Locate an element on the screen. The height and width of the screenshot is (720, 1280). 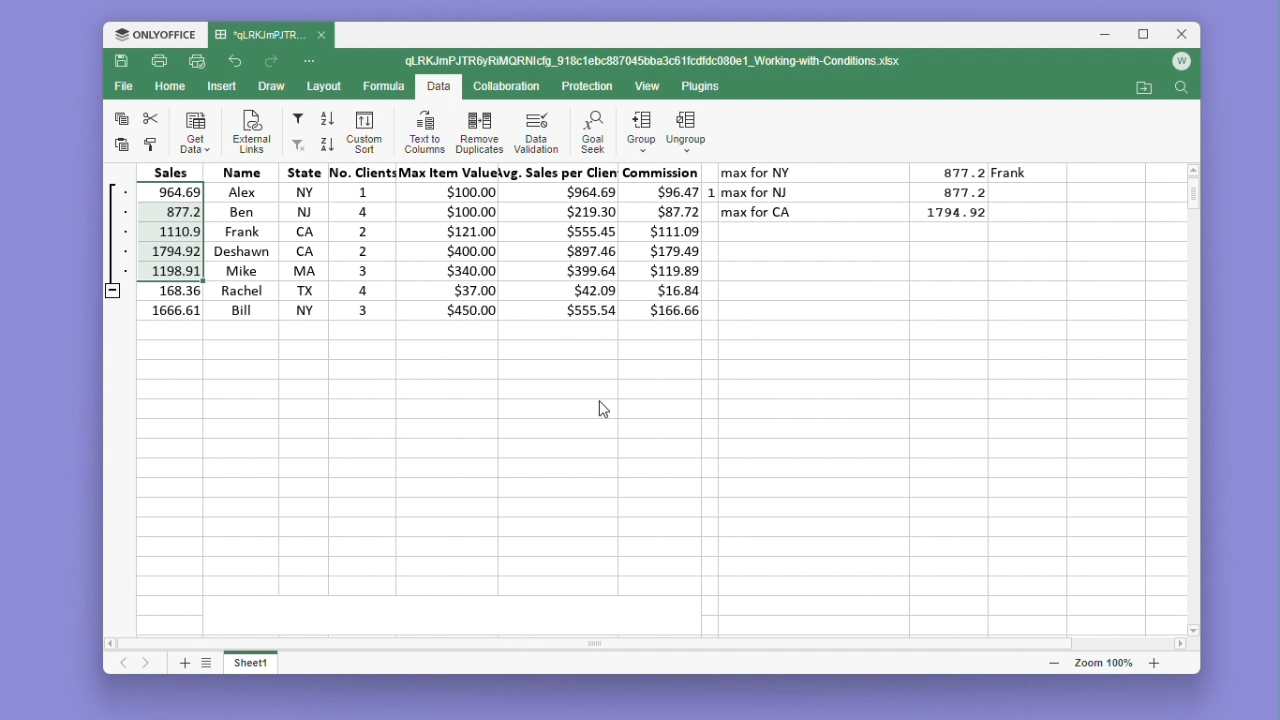
next sheet is located at coordinates (148, 664).